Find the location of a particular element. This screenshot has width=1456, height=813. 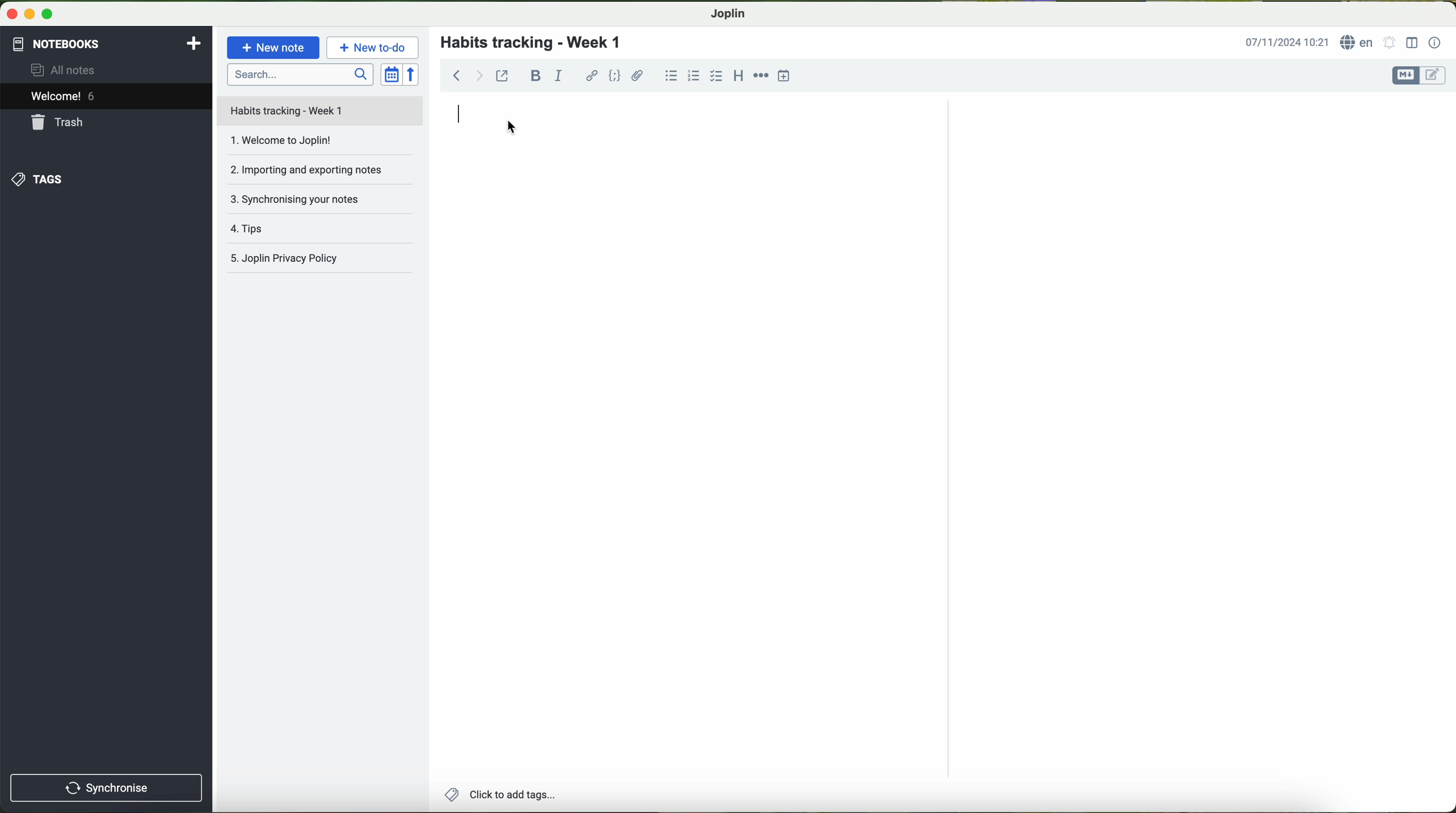

numbered list is located at coordinates (695, 75).